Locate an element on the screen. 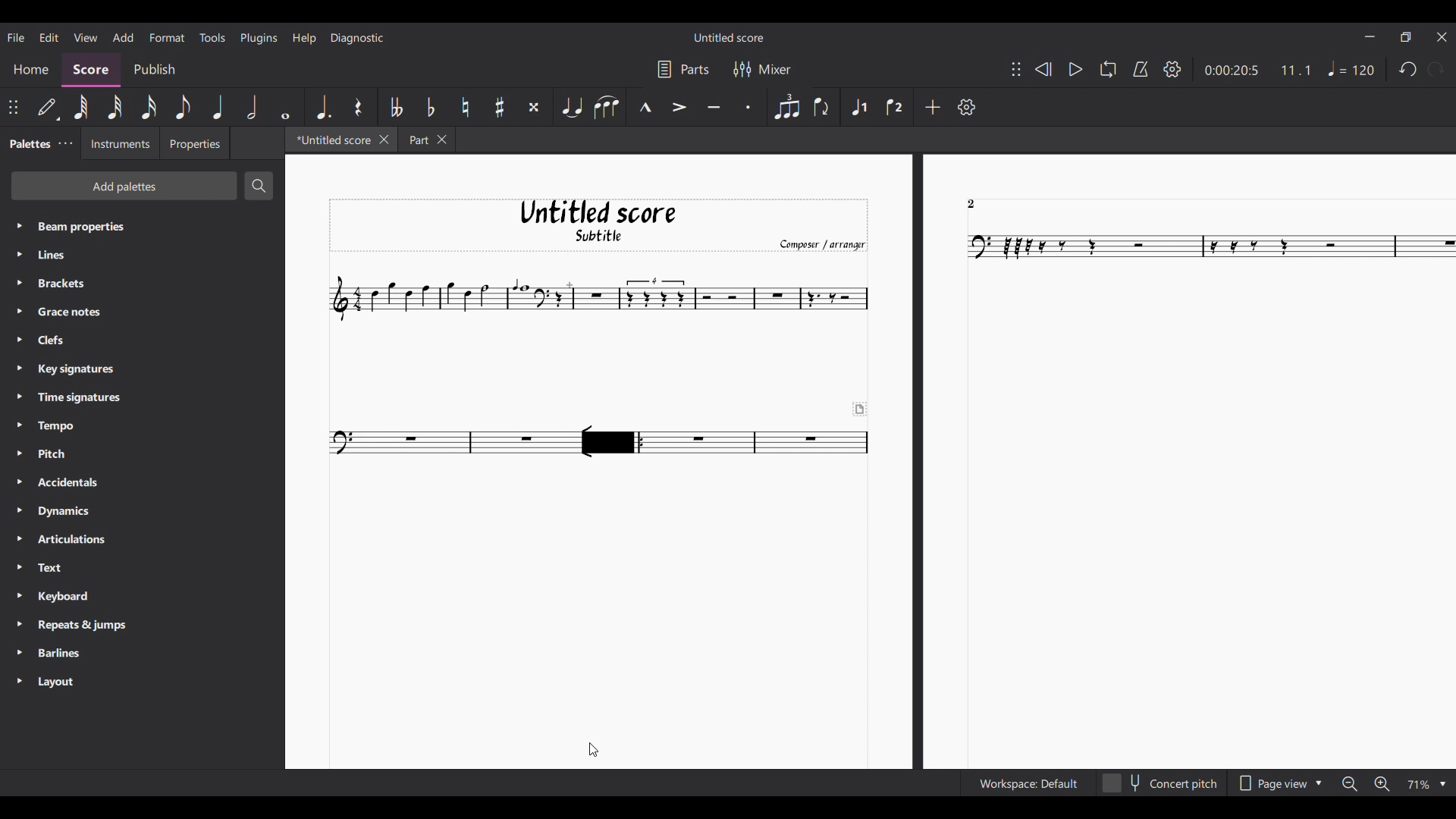  Marcato is located at coordinates (643, 106).